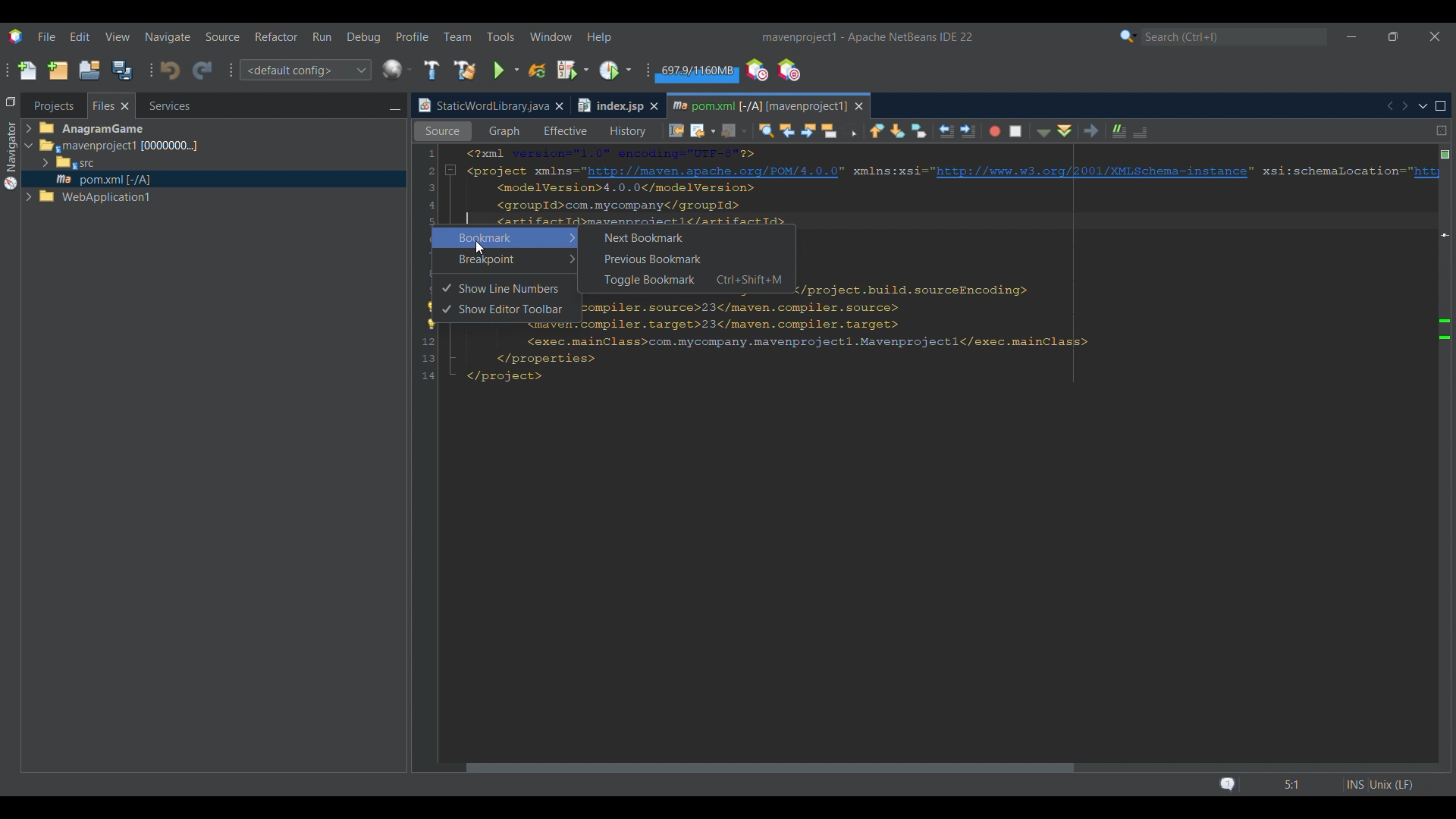 This screenshot has width=1456, height=819. Describe the element at coordinates (852, 132) in the screenshot. I see `Toggle rectangular selection` at that location.